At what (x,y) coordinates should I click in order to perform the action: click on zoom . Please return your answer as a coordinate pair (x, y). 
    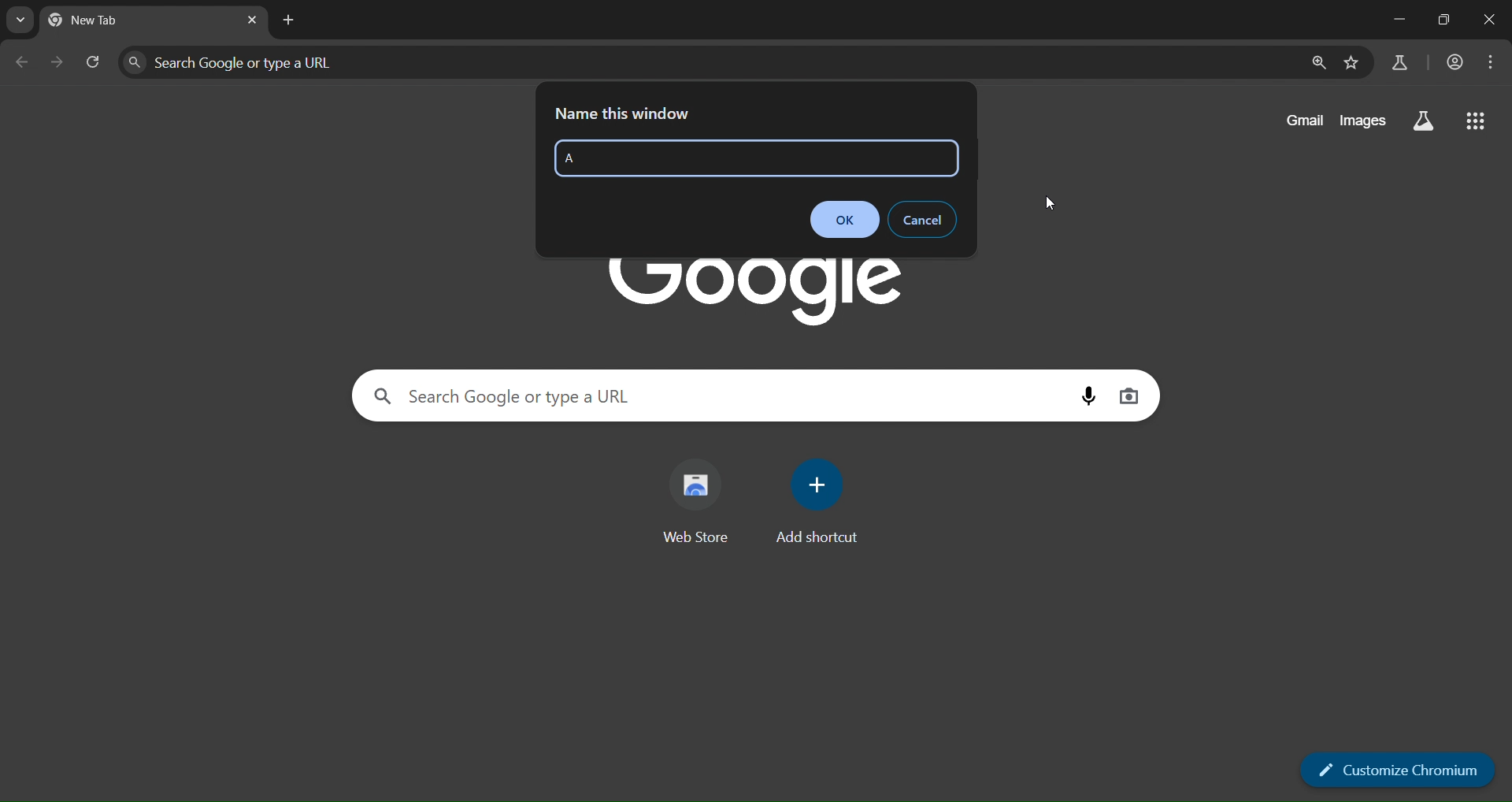
    Looking at the image, I should click on (1318, 63).